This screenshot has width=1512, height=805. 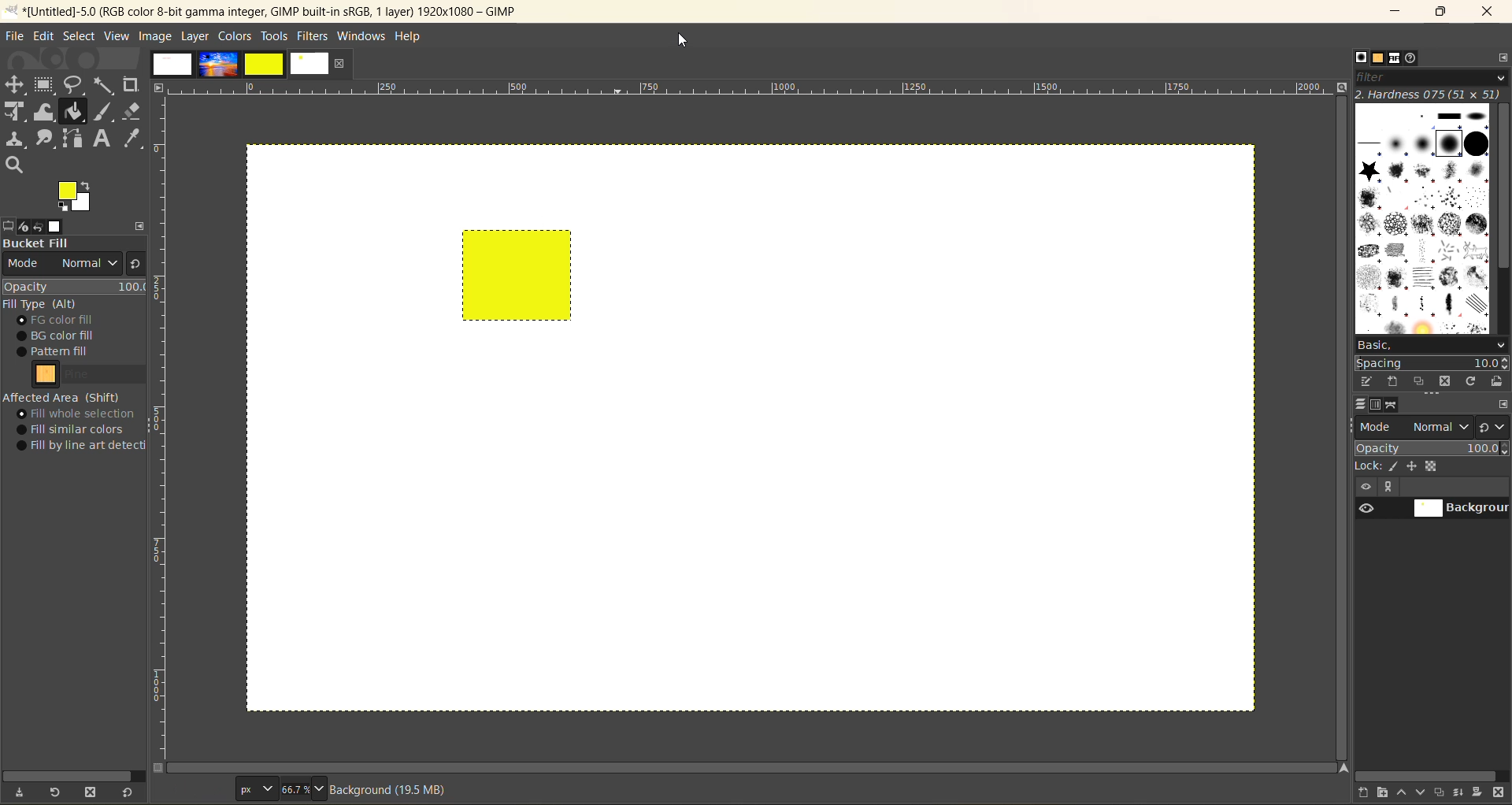 I want to click on edit, so click(x=46, y=37).